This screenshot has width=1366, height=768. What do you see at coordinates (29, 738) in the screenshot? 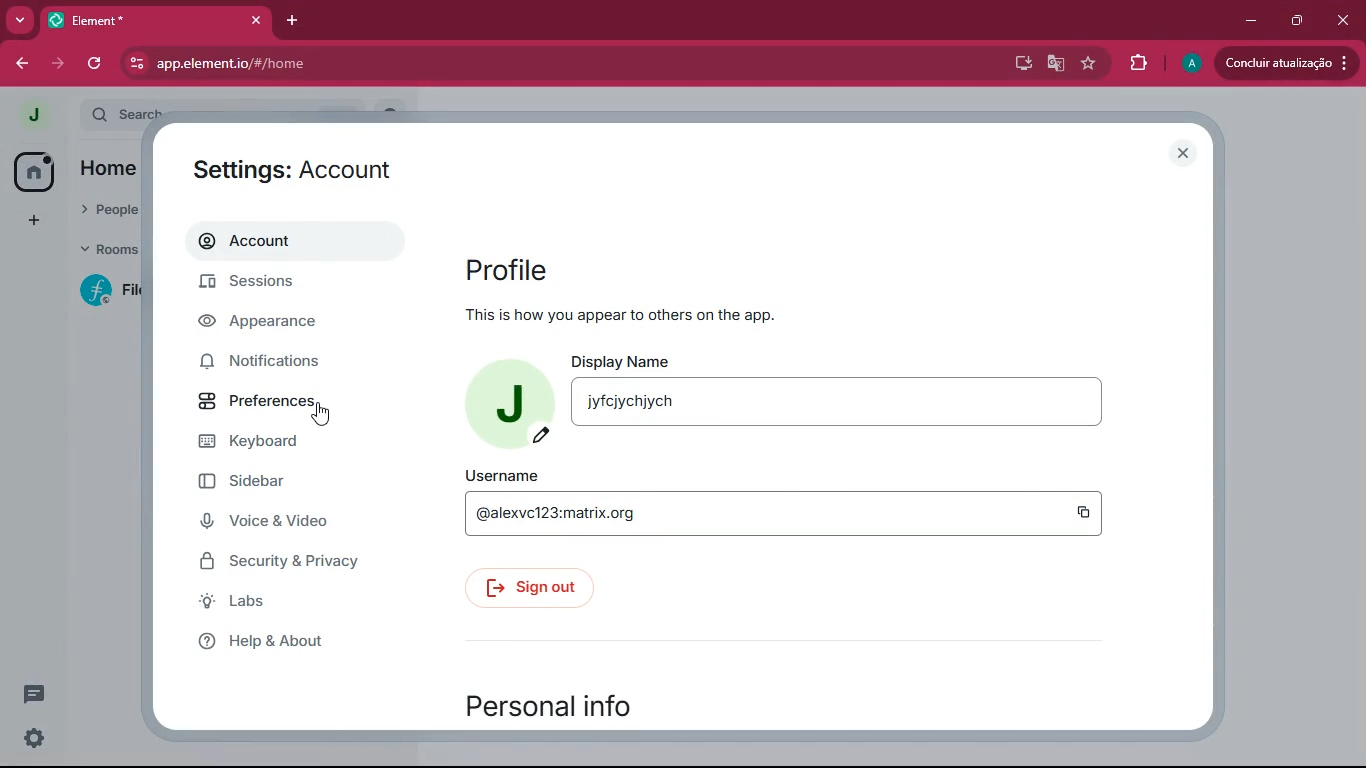
I see `settings` at bounding box center [29, 738].